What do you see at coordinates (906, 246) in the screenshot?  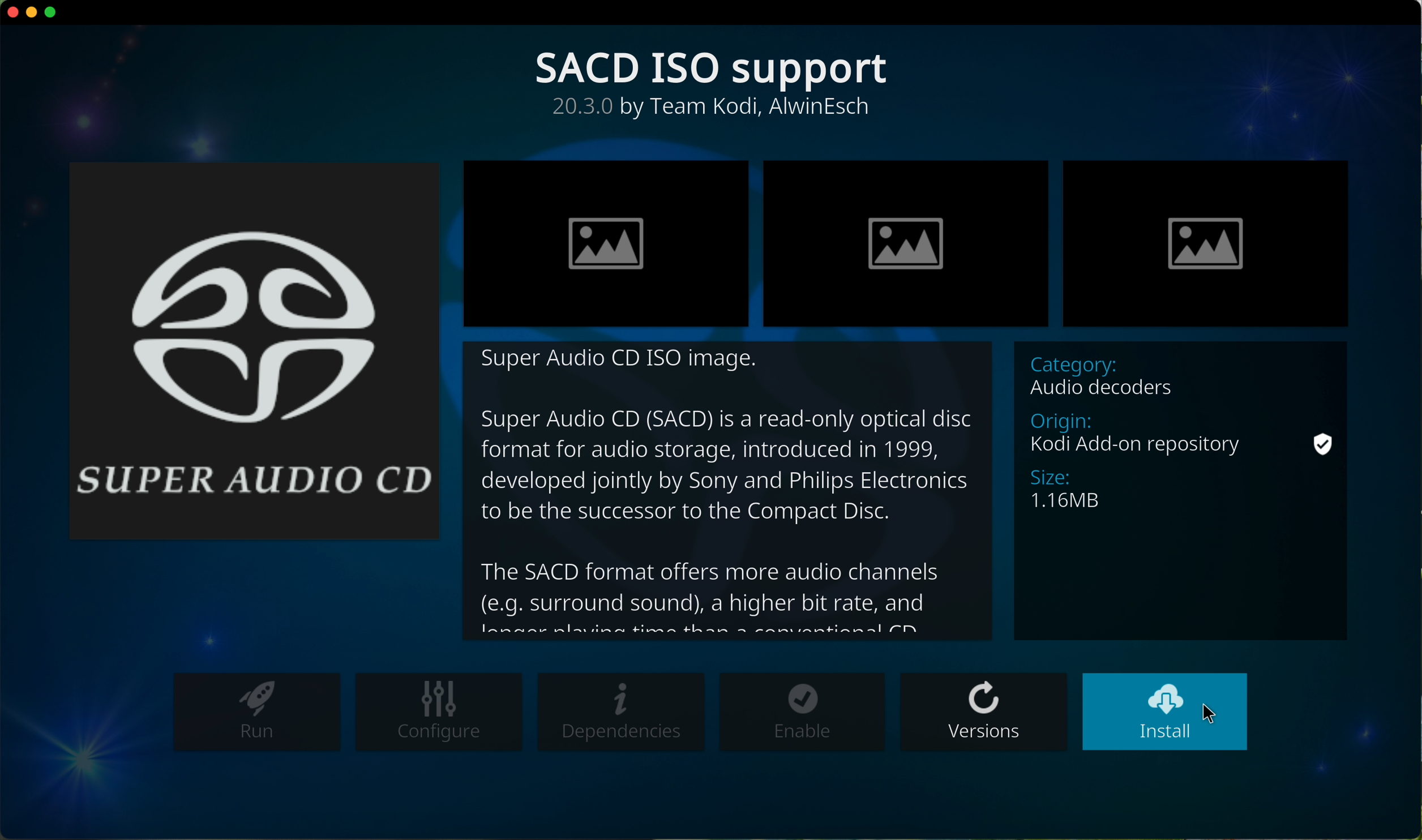 I see `image` at bounding box center [906, 246].